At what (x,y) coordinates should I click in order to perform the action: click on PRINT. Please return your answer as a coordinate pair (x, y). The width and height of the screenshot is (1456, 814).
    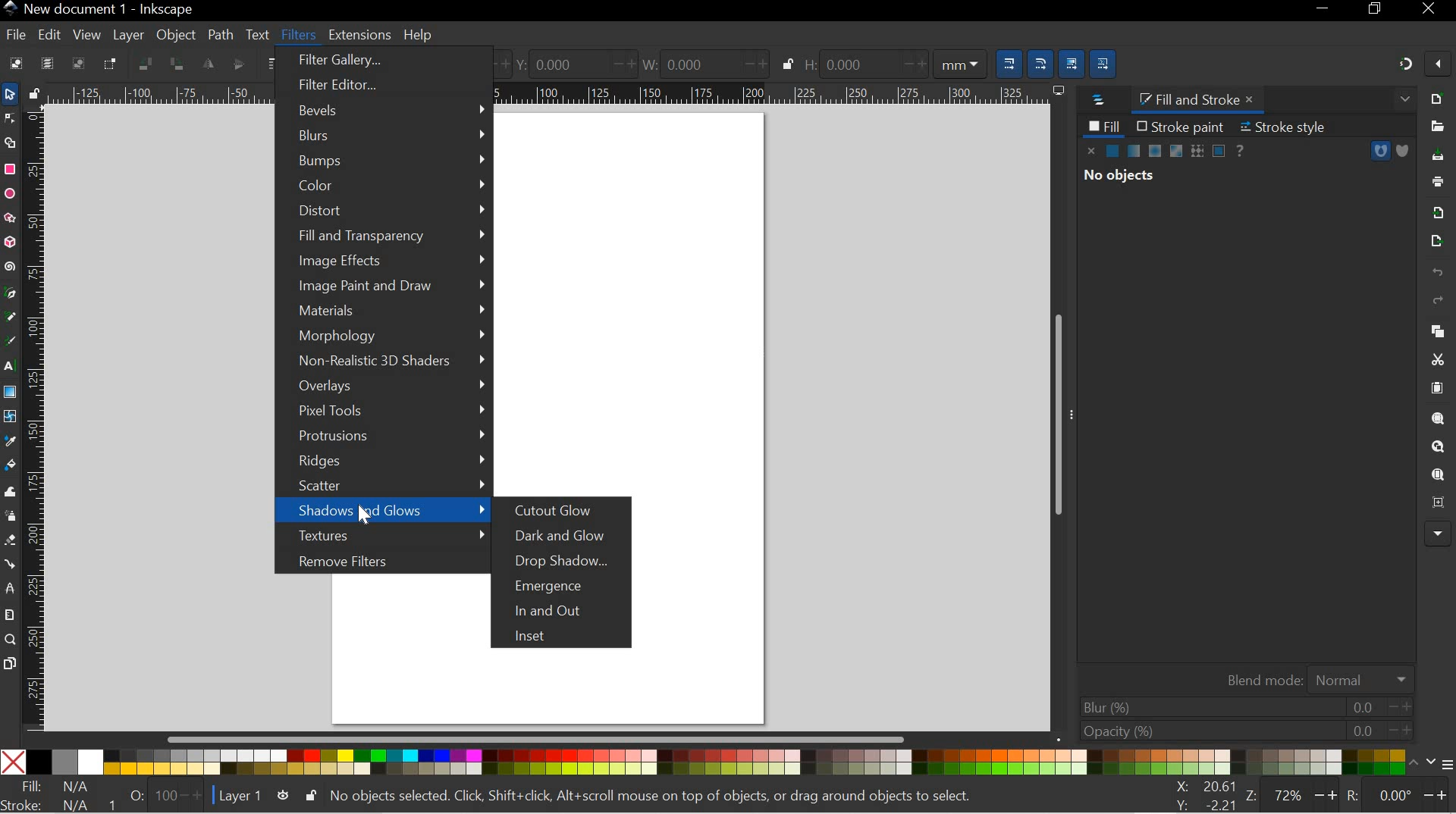
    Looking at the image, I should click on (1441, 180).